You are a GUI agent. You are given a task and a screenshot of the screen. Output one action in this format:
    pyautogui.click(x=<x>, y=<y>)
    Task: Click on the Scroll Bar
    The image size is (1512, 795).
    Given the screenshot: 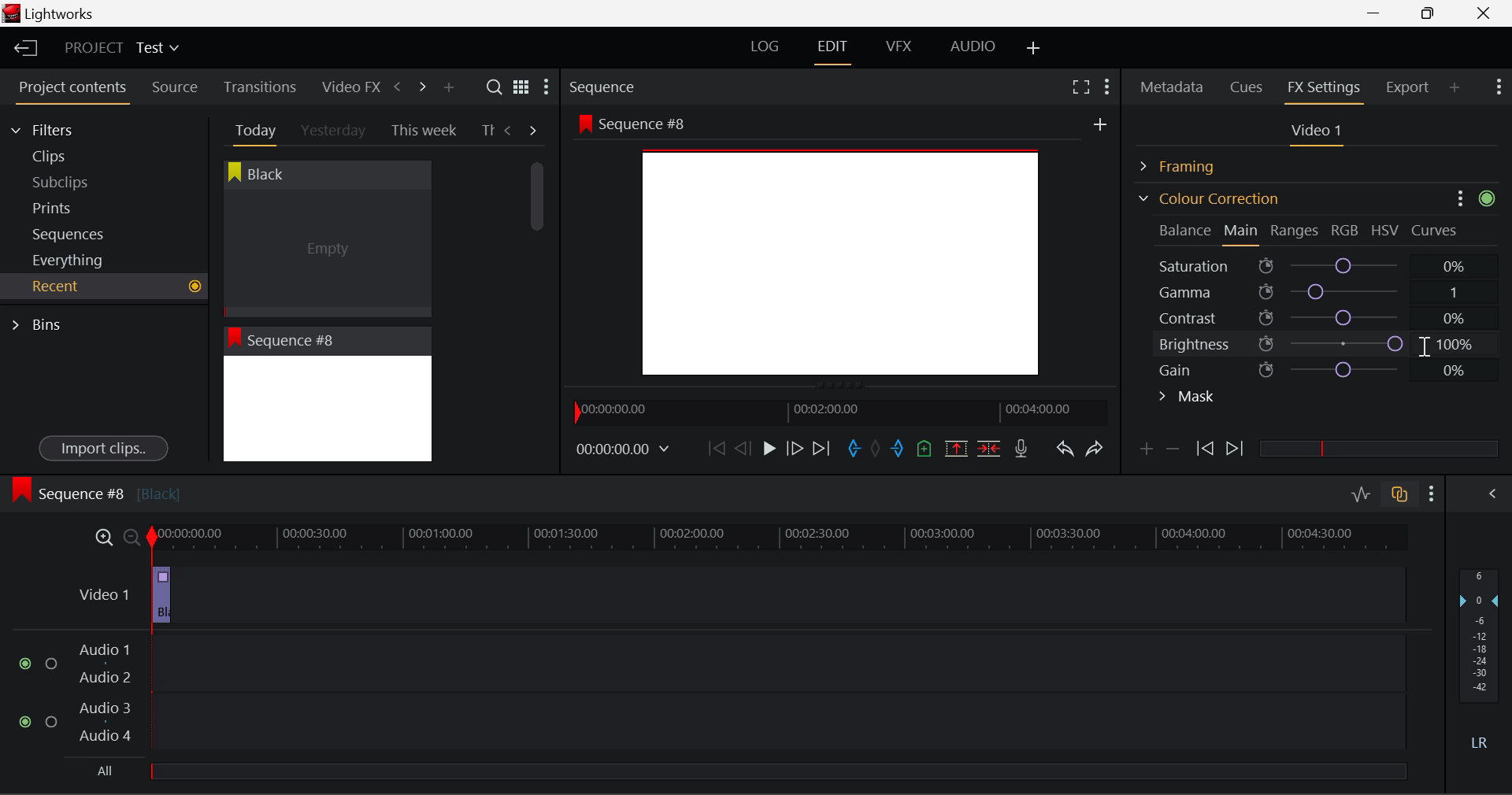 What is the action you would take?
    pyautogui.click(x=538, y=299)
    